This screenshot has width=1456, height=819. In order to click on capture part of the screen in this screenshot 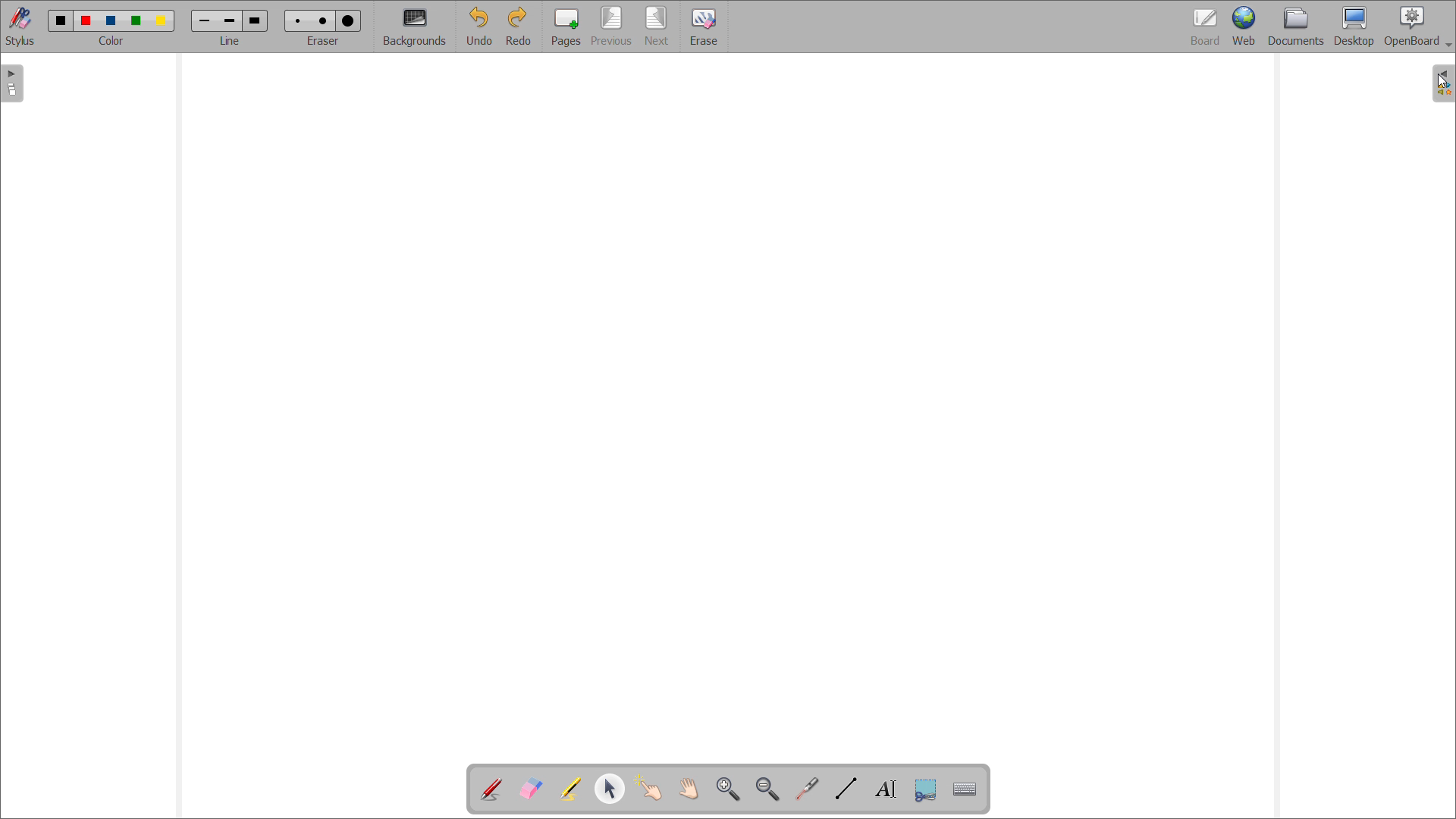, I will do `click(927, 789)`.